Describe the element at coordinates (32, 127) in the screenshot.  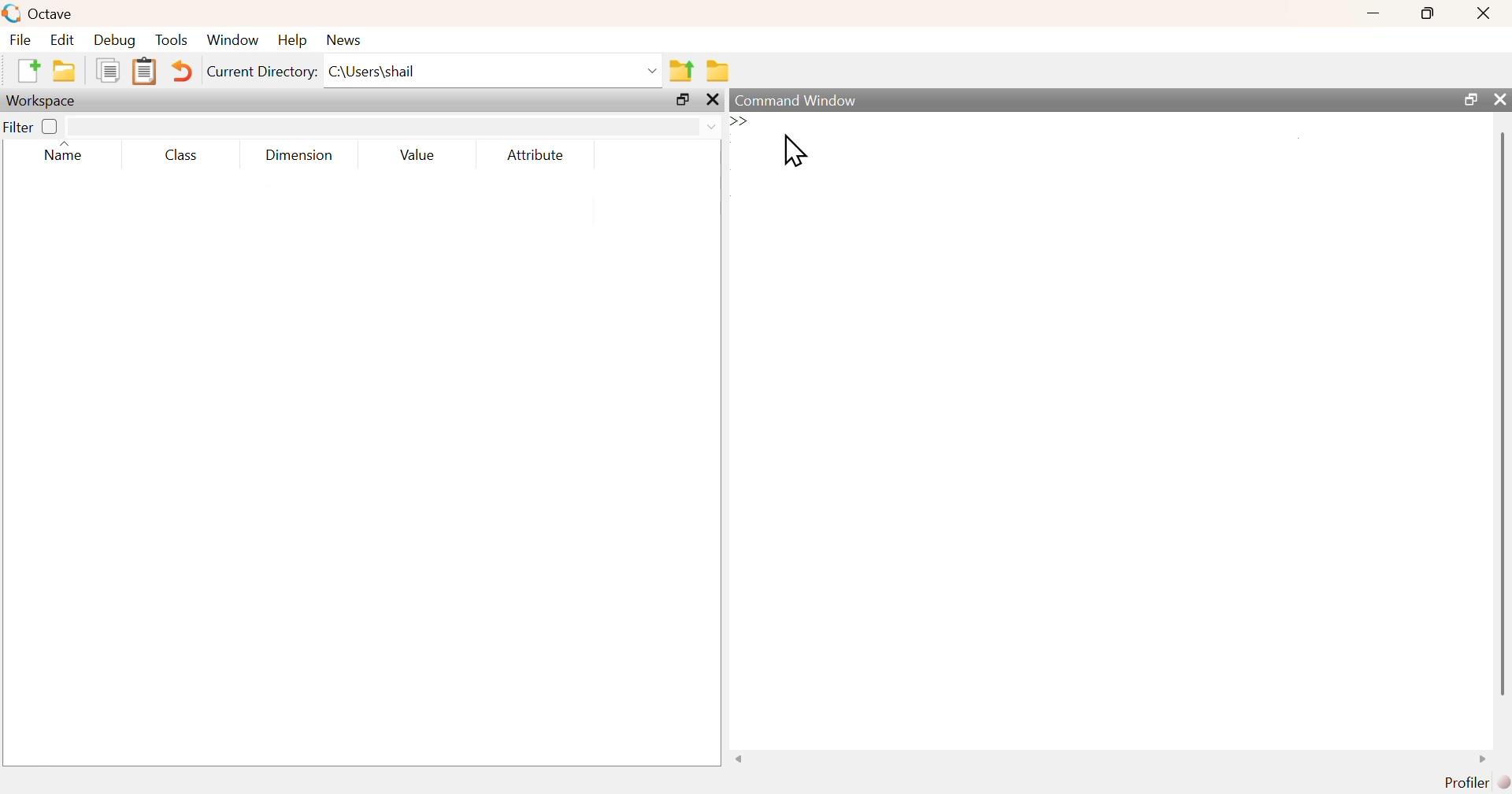
I see `Filter` at that location.